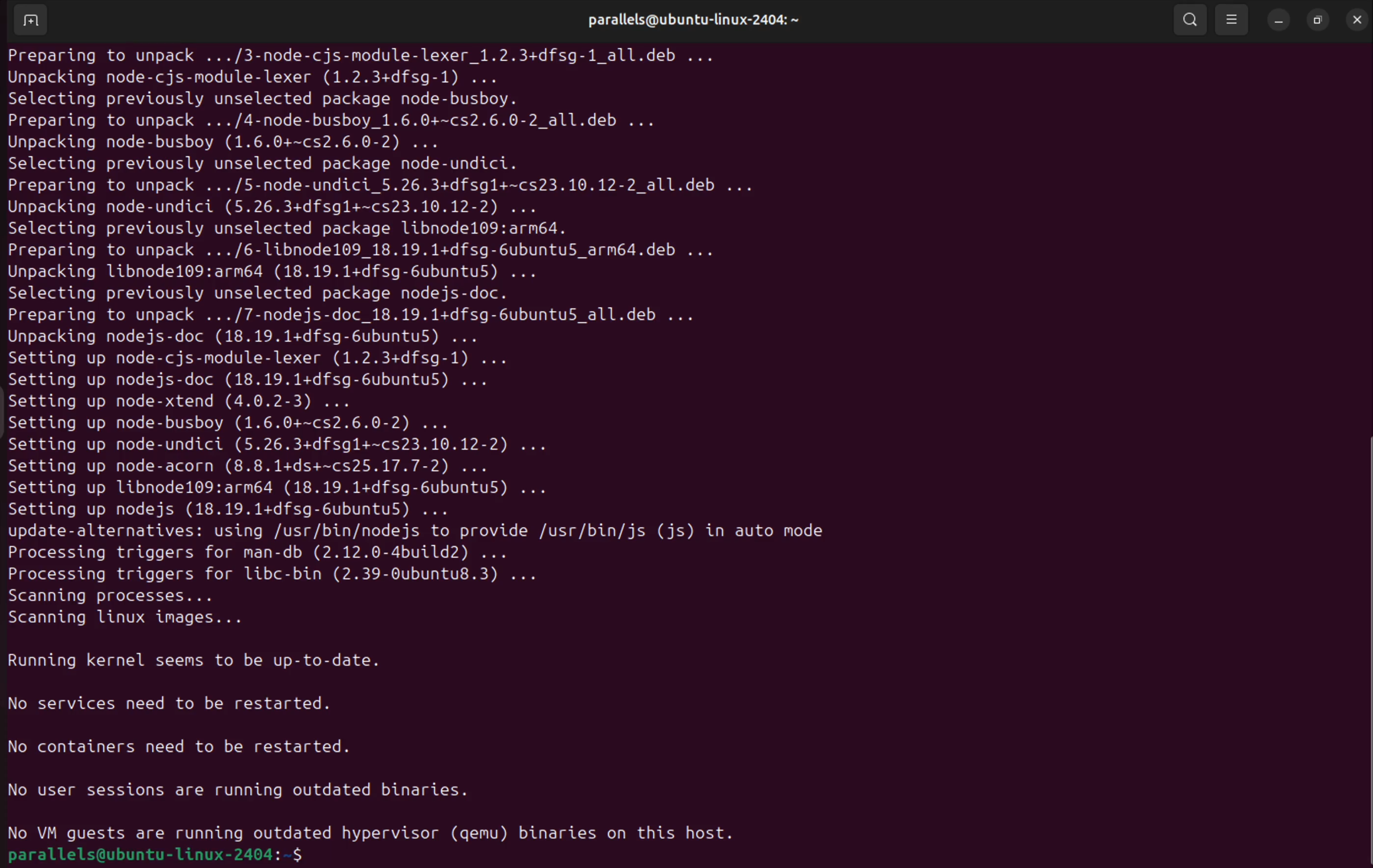  What do you see at coordinates (1354, 20) in the screenshot?
I see `close` at bounding box center [1354, 20].